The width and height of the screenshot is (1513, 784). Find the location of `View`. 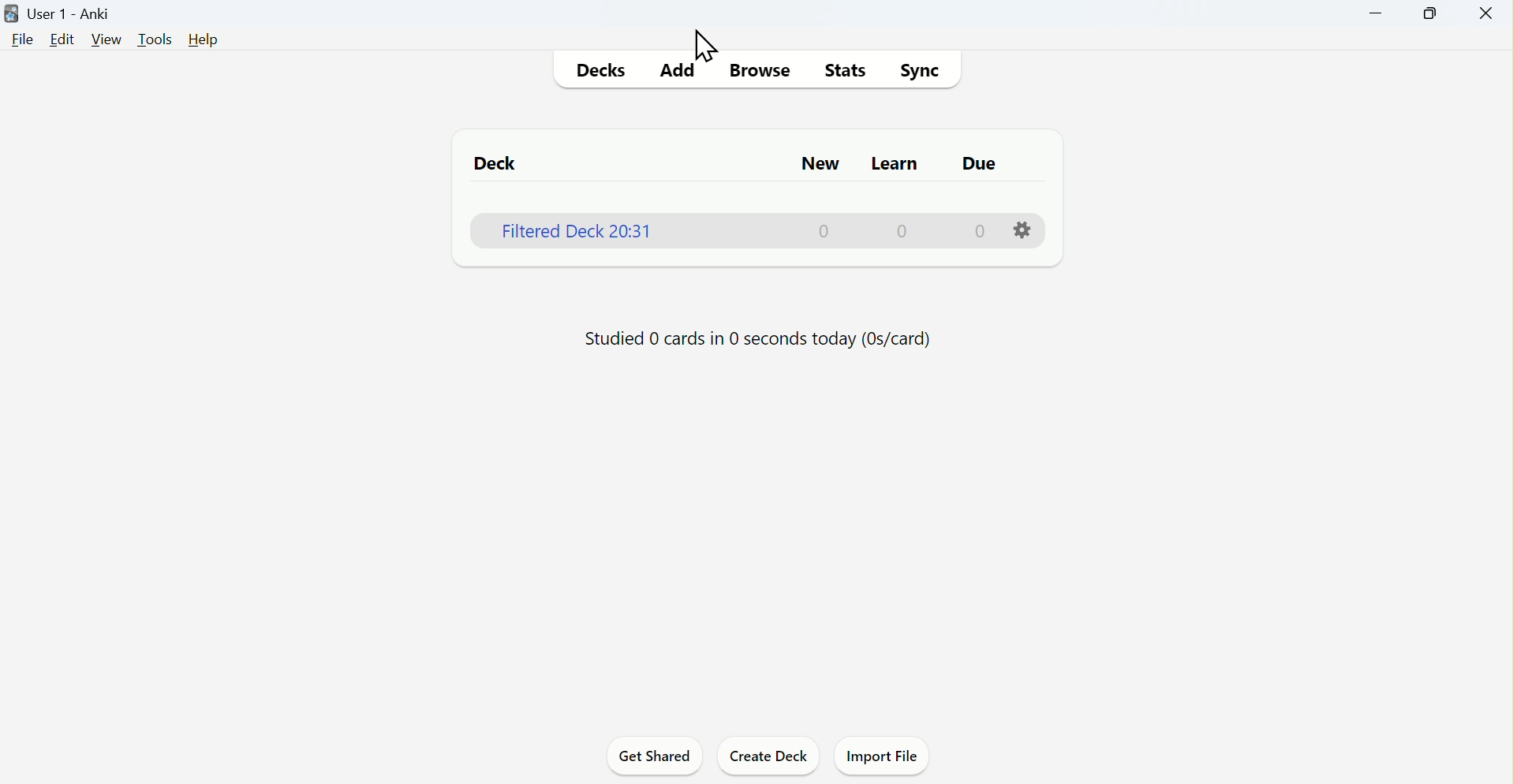

View is located at coordinates (107, 39).